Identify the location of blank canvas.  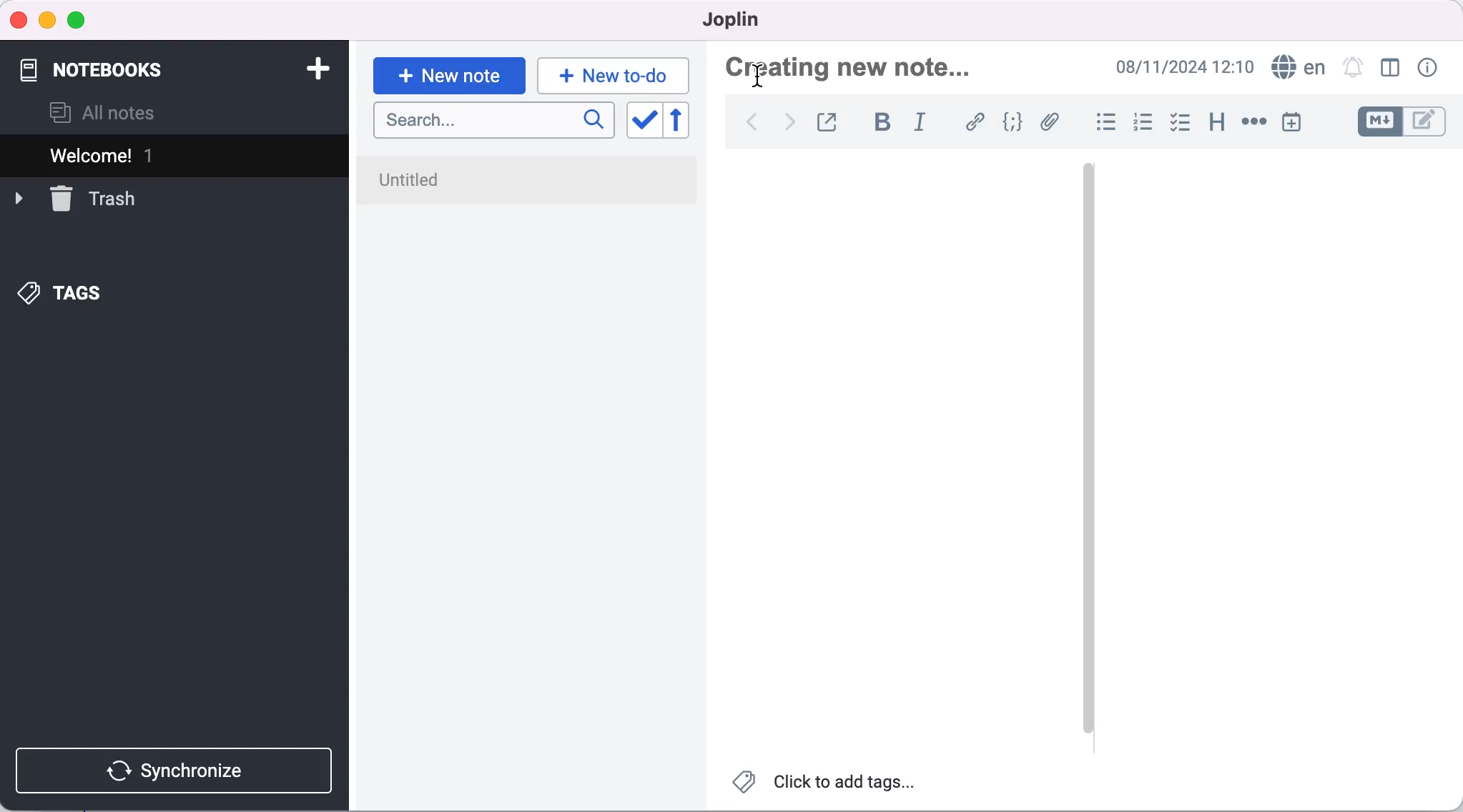
(880, 455).